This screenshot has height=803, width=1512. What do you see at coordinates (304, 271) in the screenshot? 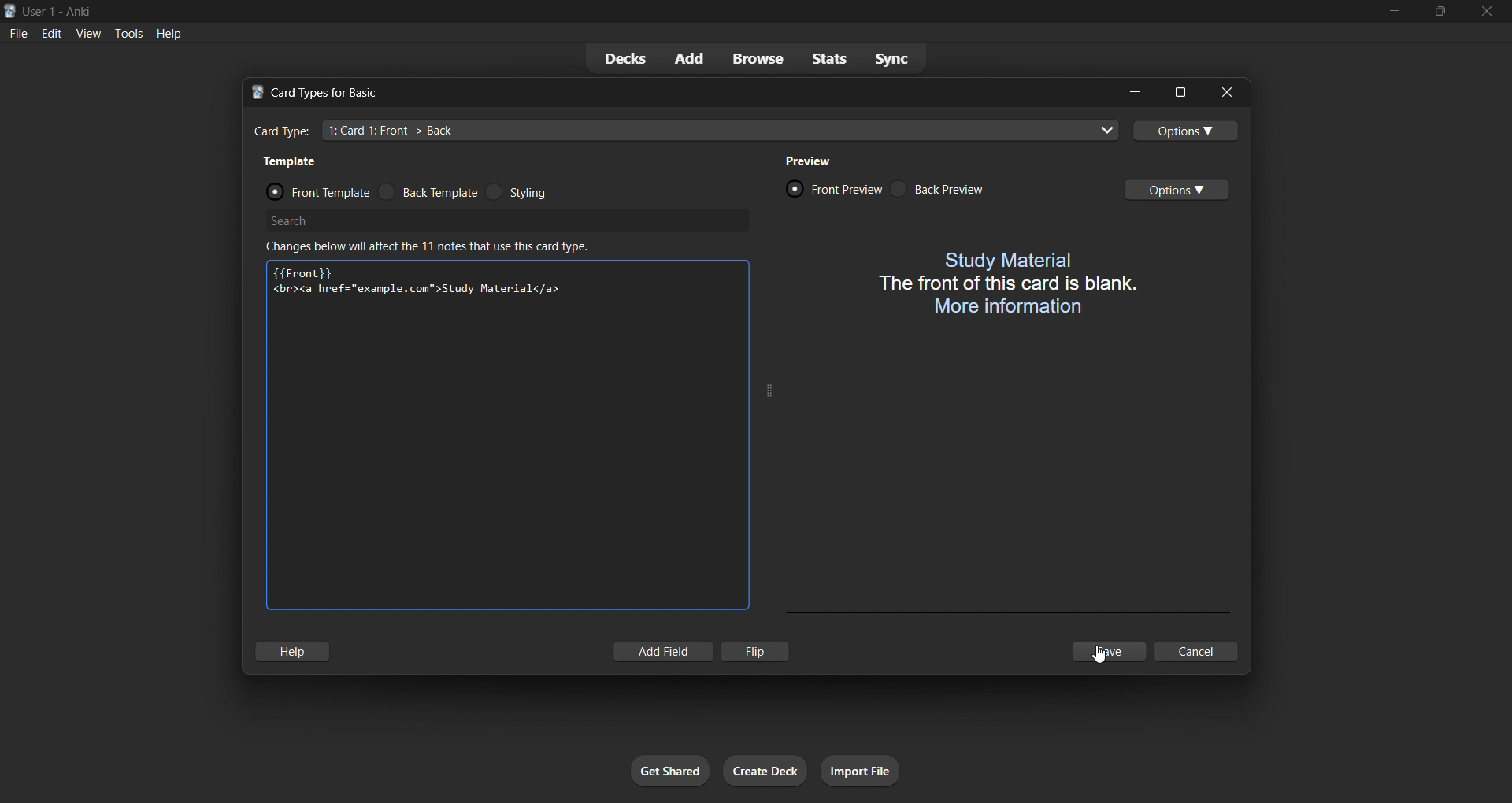
I see `{{Font}}` at bounding box center [304, 271].